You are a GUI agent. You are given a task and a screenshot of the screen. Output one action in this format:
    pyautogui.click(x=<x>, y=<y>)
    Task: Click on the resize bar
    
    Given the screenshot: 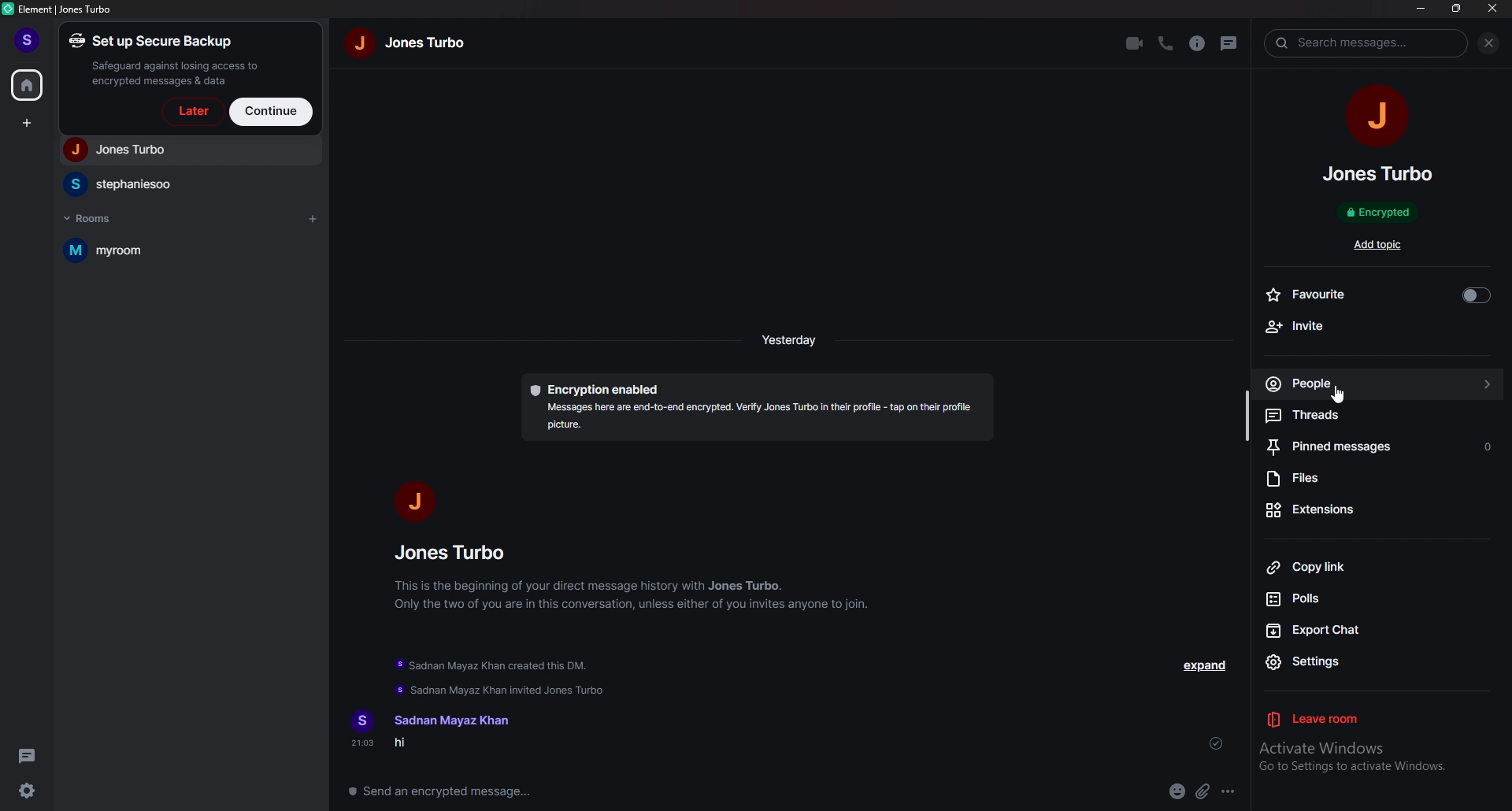 What is the action you would take?
    pyautogui.click(x=1246, y=413)
    